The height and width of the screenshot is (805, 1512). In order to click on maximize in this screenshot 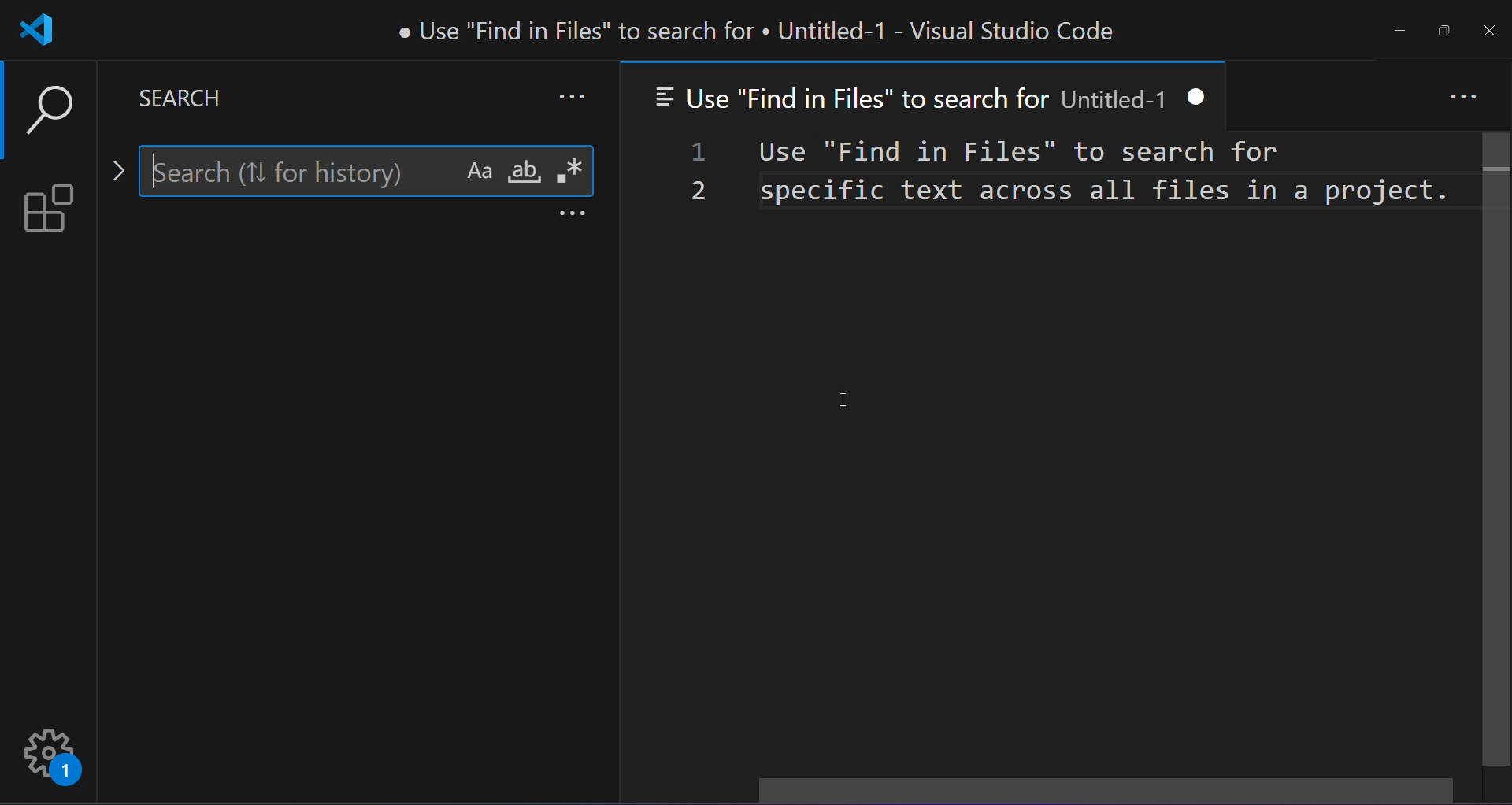, I will do `click(1445, 31)`.